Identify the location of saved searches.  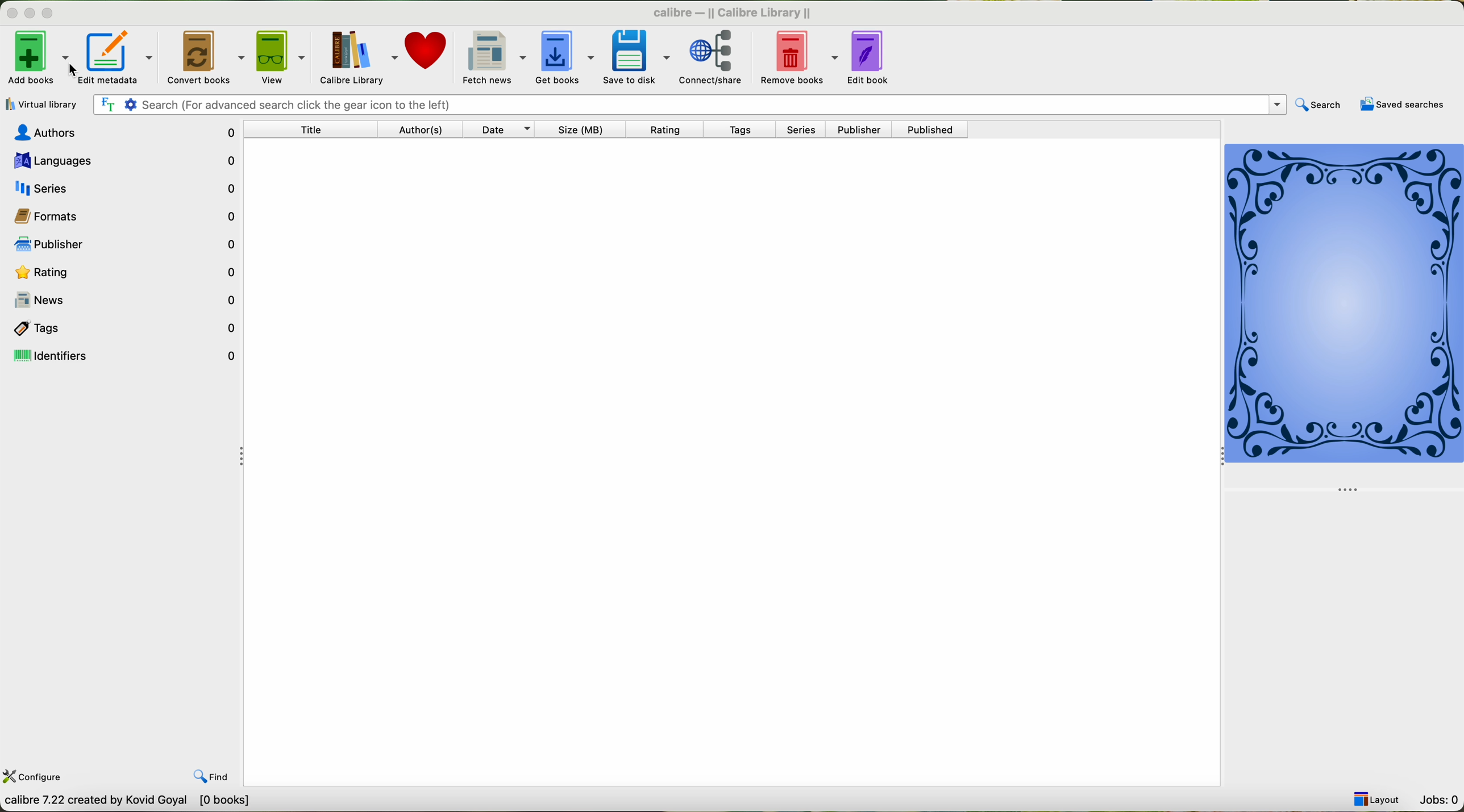
(1403, 106).